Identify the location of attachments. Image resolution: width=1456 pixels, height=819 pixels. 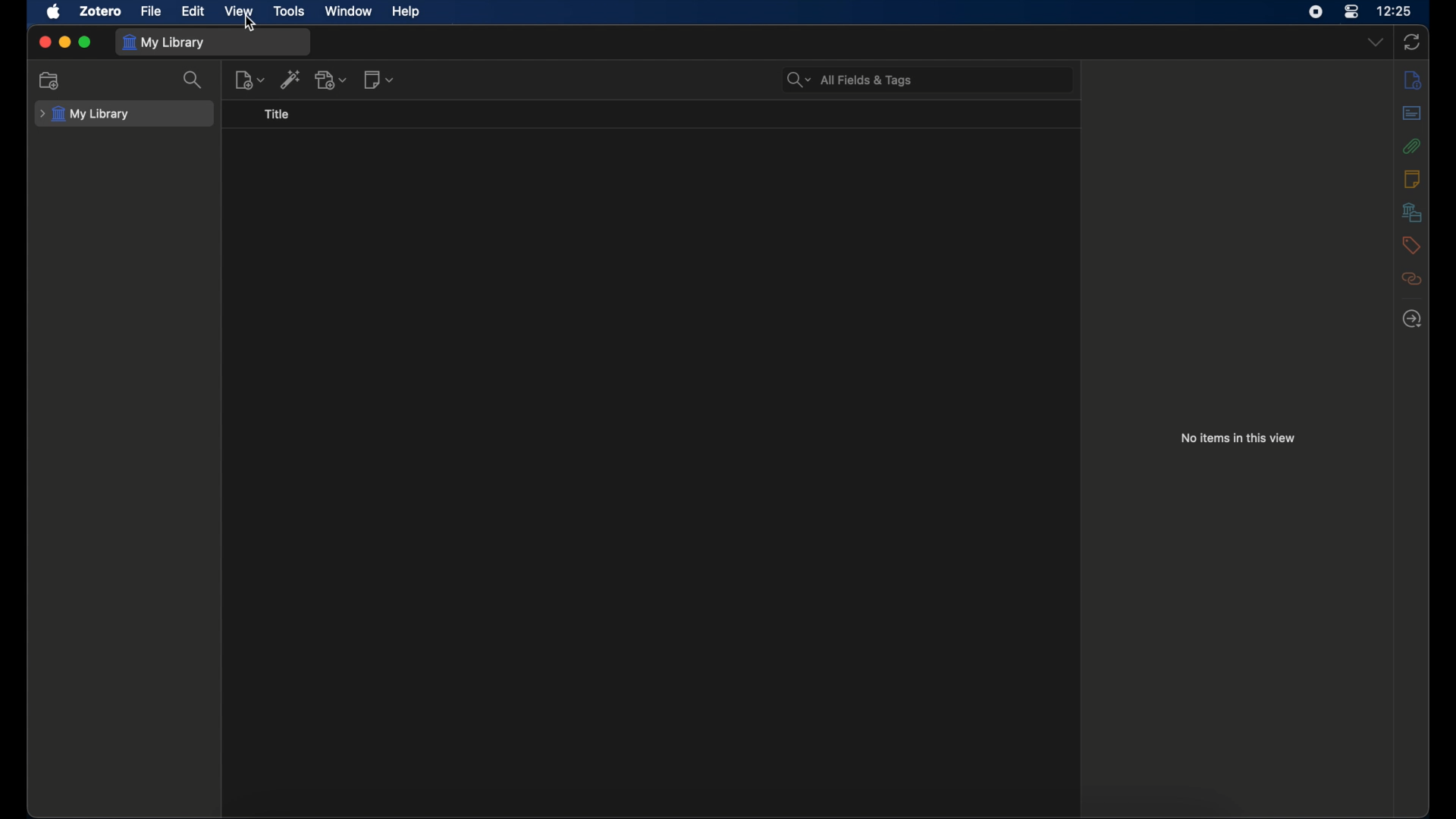
(1412, 146).